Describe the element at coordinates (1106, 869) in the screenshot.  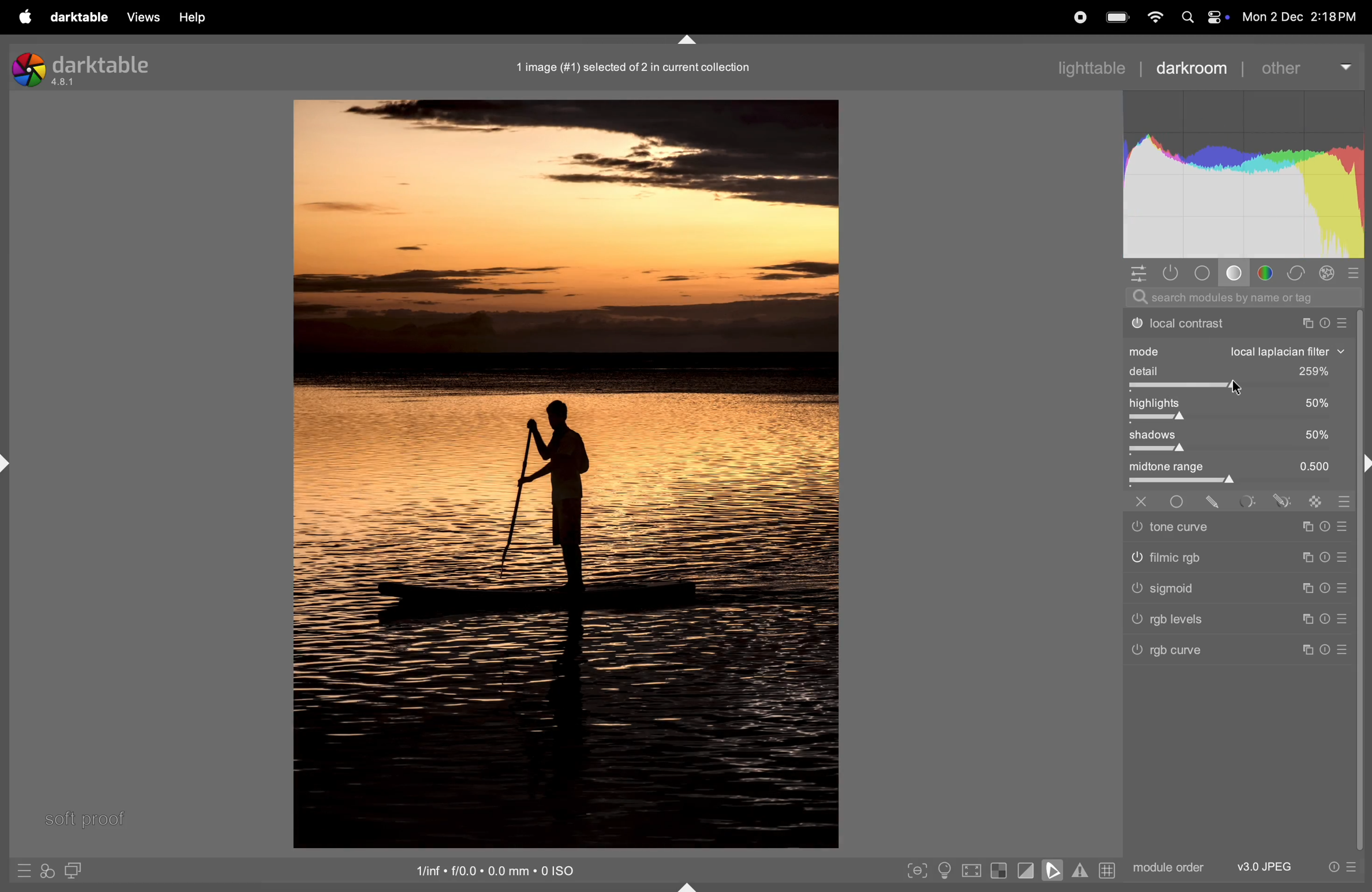
I see `grid` at that location.